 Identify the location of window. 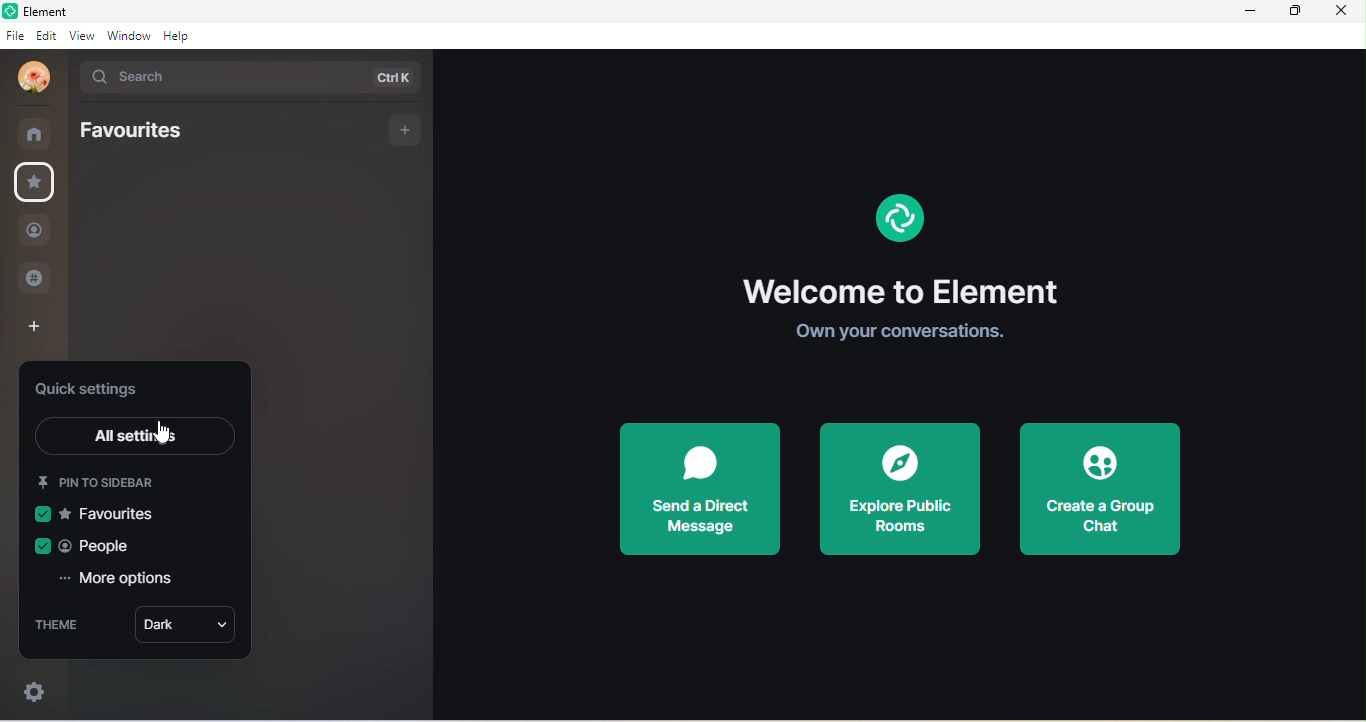
(129, 35).